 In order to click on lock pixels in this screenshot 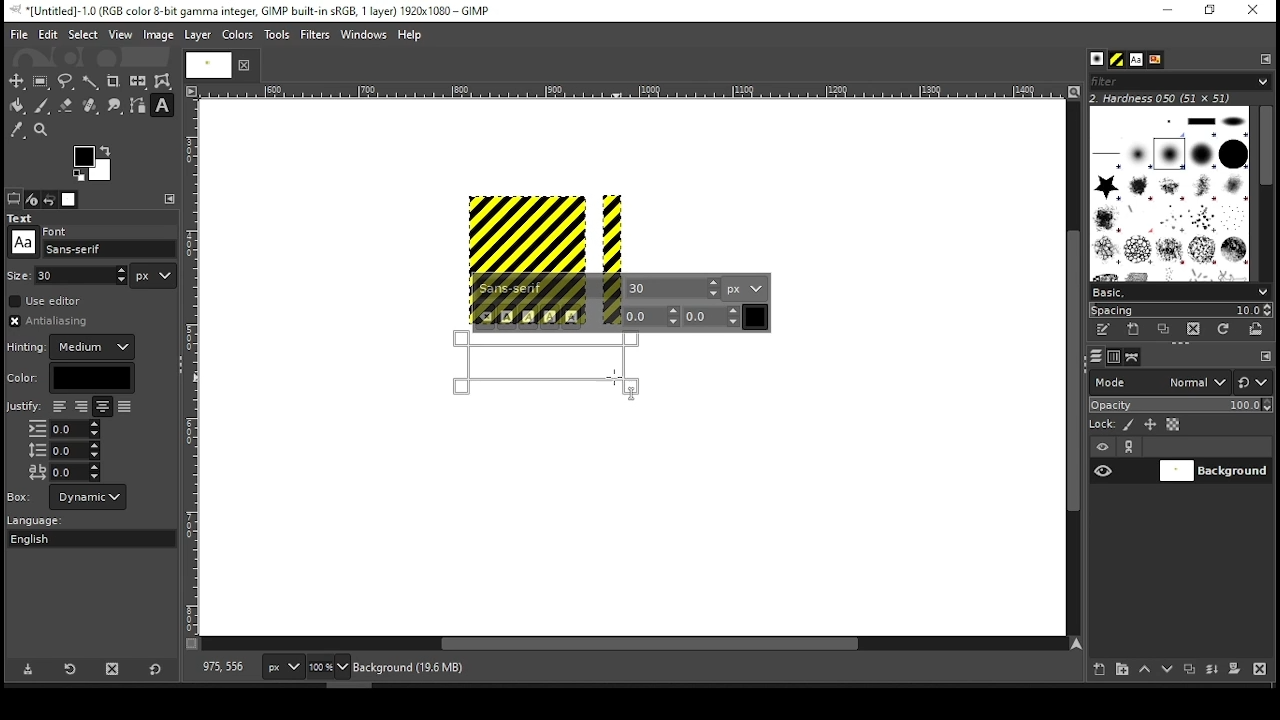, I will do `click(1132, 425)`.